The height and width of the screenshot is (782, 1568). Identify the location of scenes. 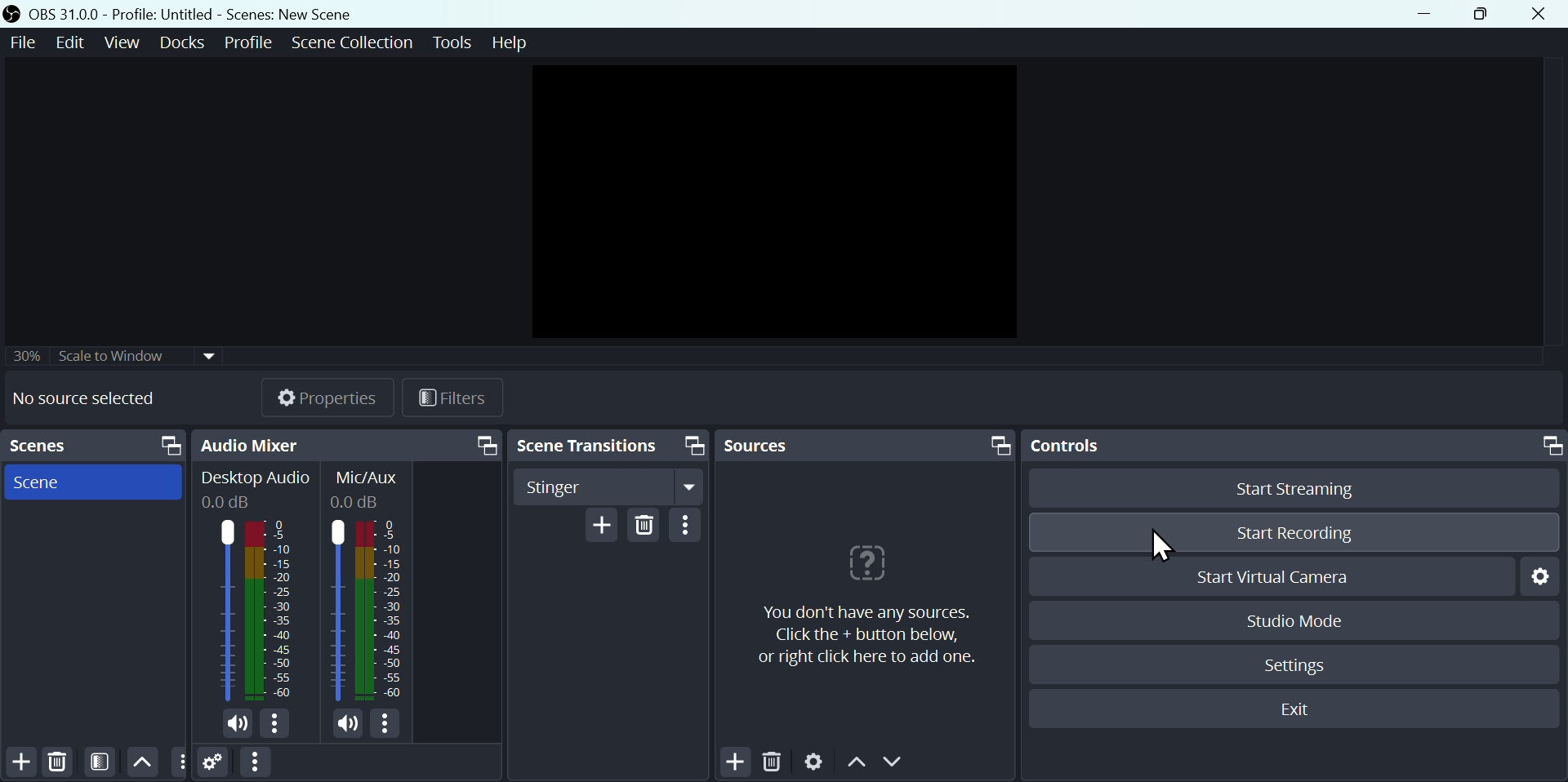
(48, 447).